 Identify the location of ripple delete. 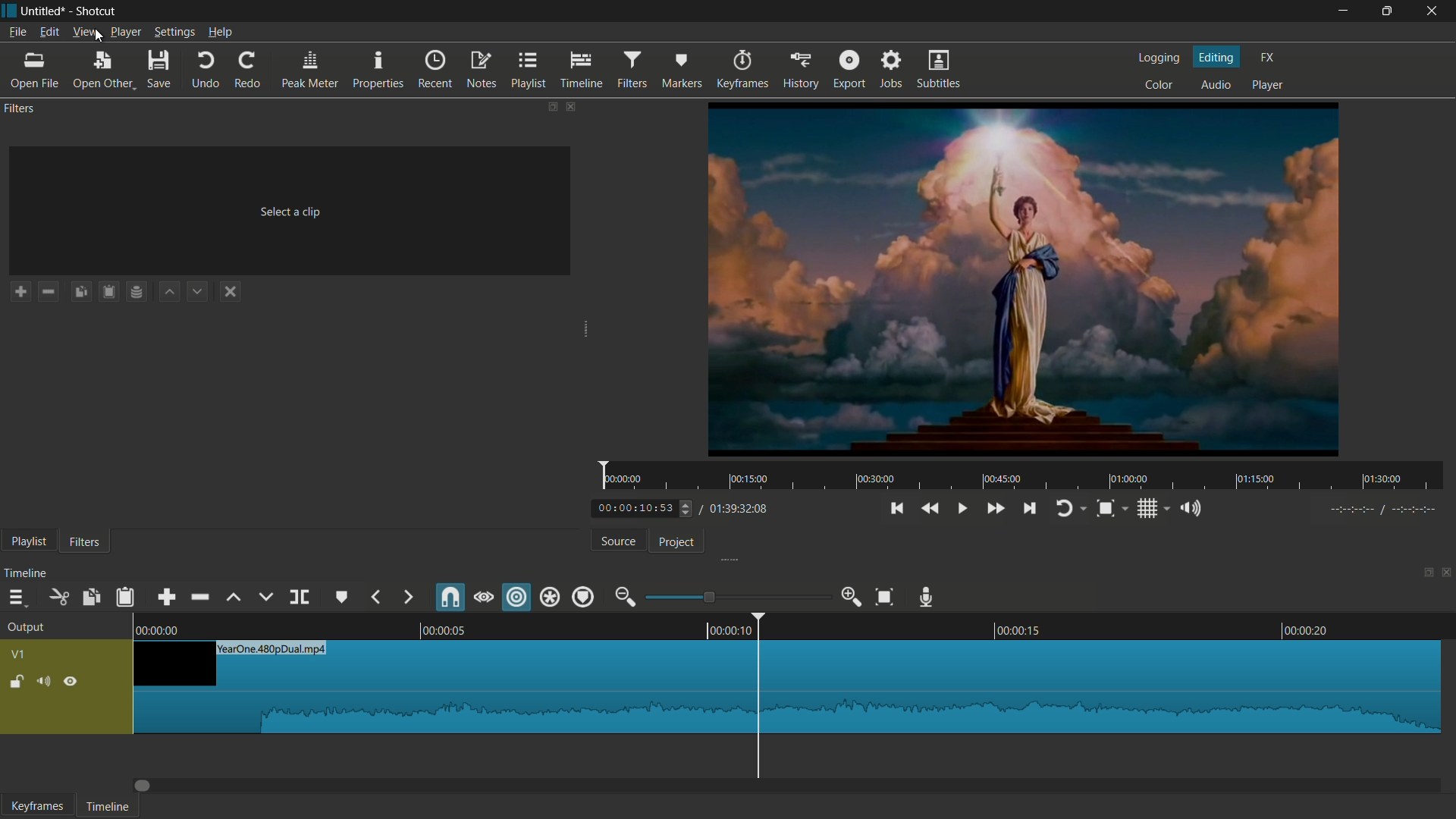
(199, 598).